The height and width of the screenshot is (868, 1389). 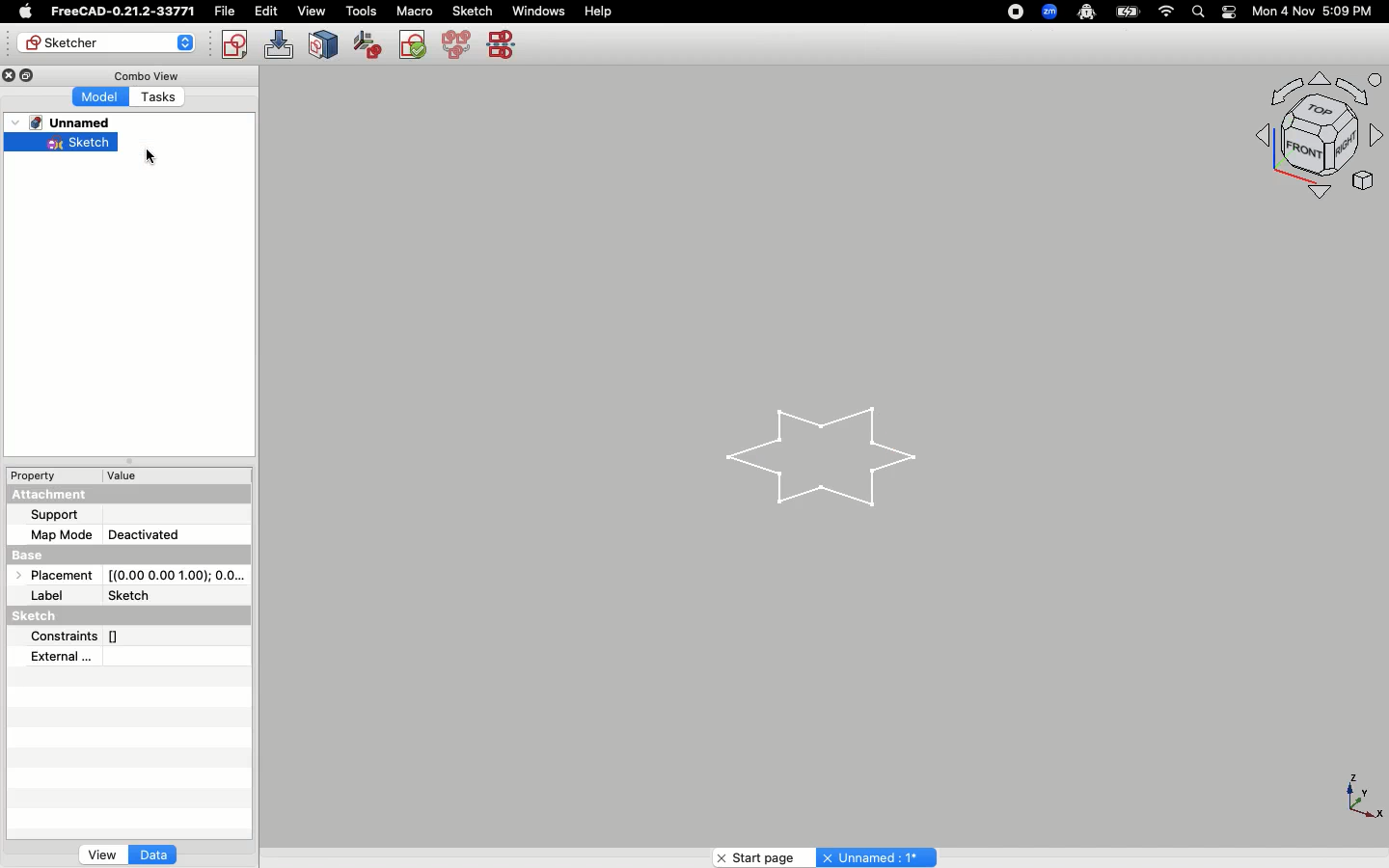 I want to click on 2D star, so click(x=833, y=459).